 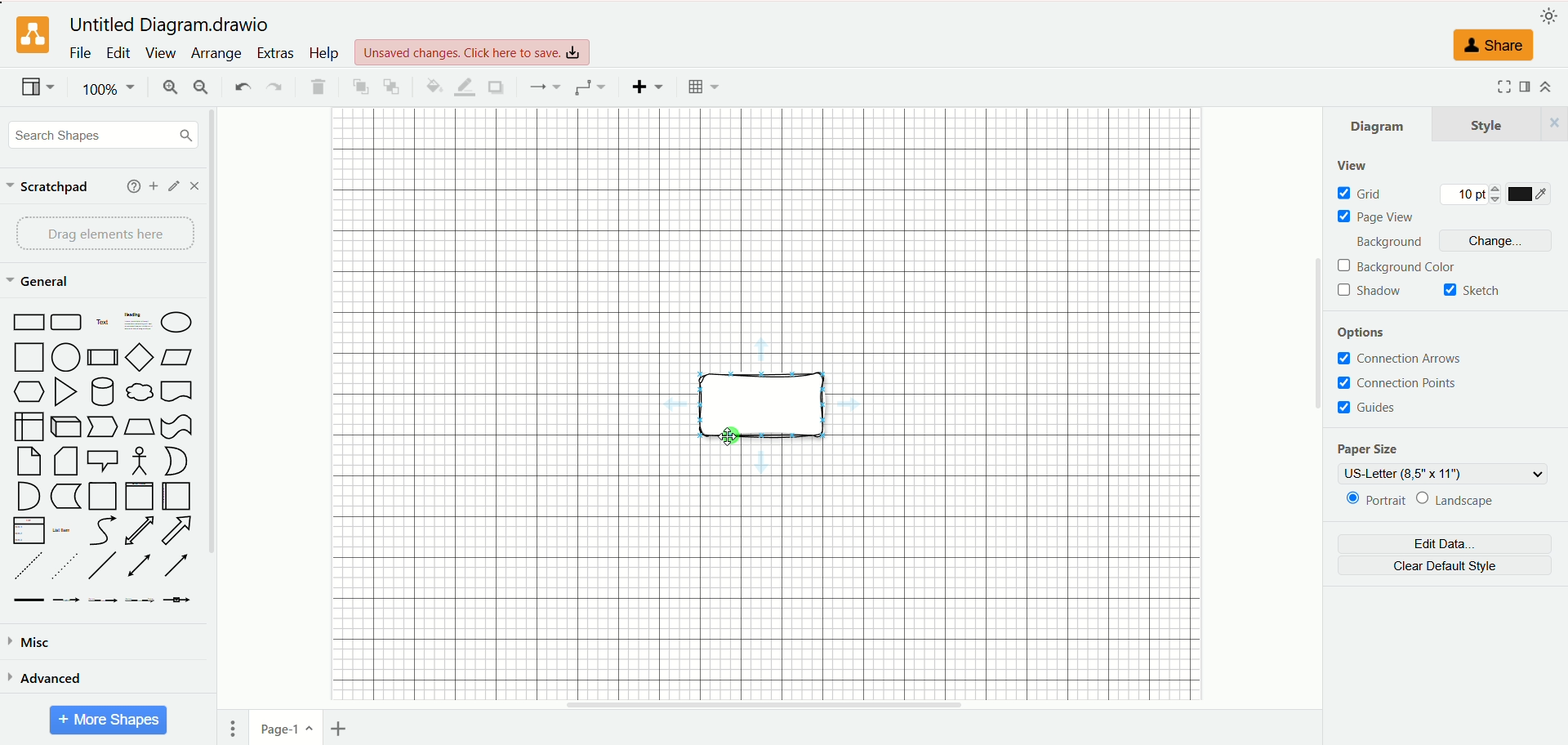 I want to click on page view, so click(x=1383, y=220).